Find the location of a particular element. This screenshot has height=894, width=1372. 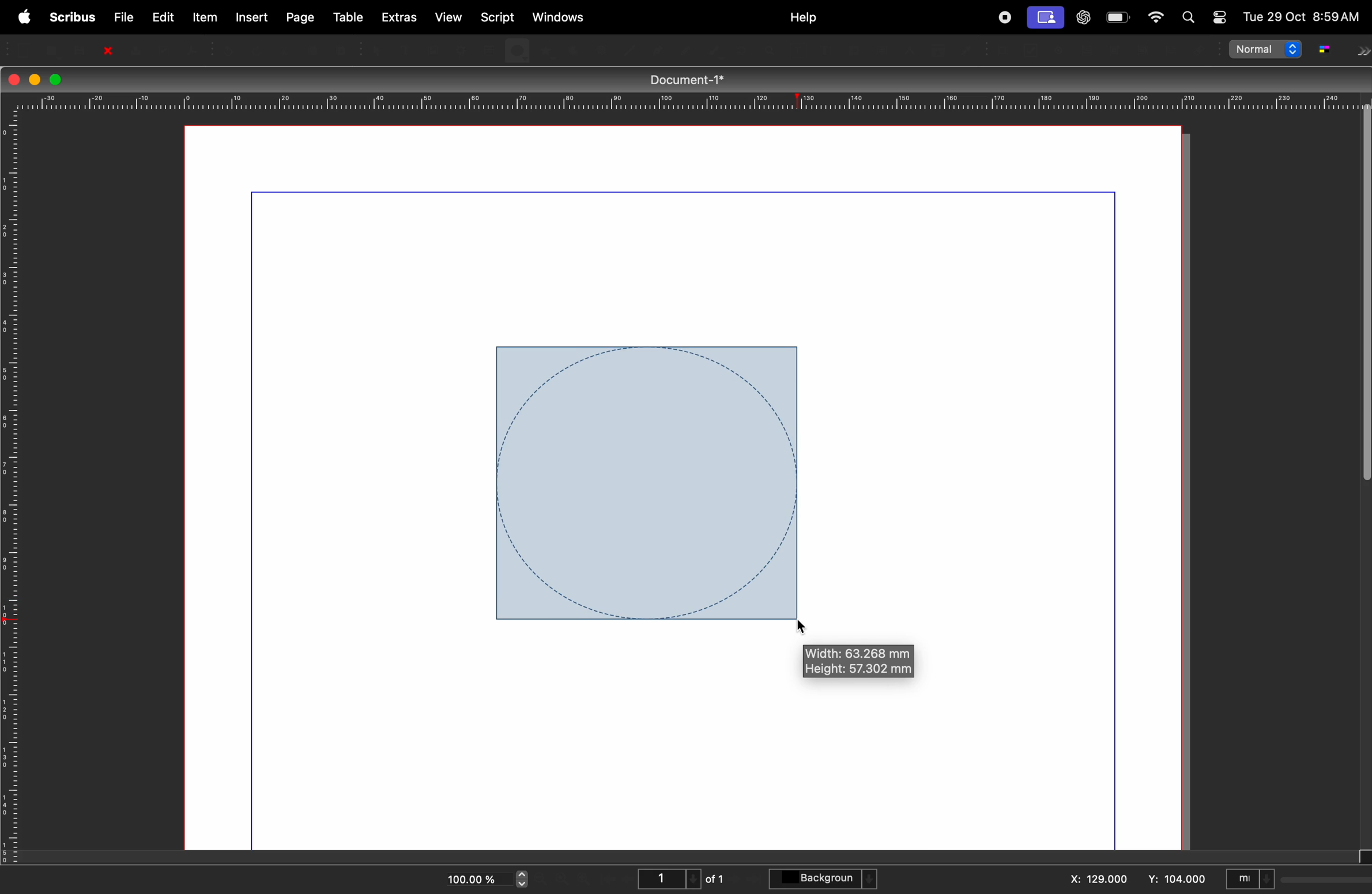

find is located at coordinates (1192, 18).